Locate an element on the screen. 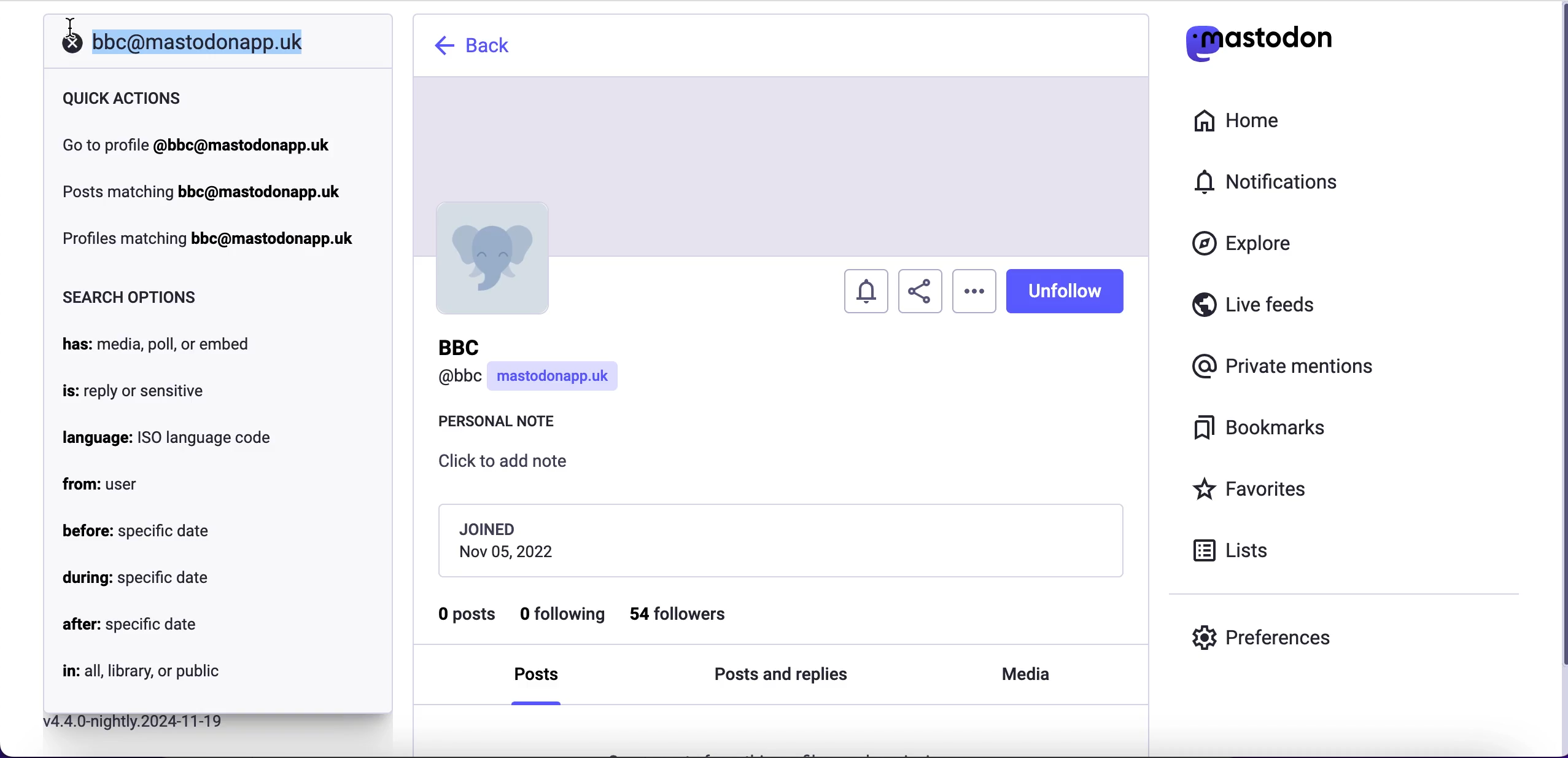 This screenshot has width=1568, height=758. media is located at coordinates (1023, 675).